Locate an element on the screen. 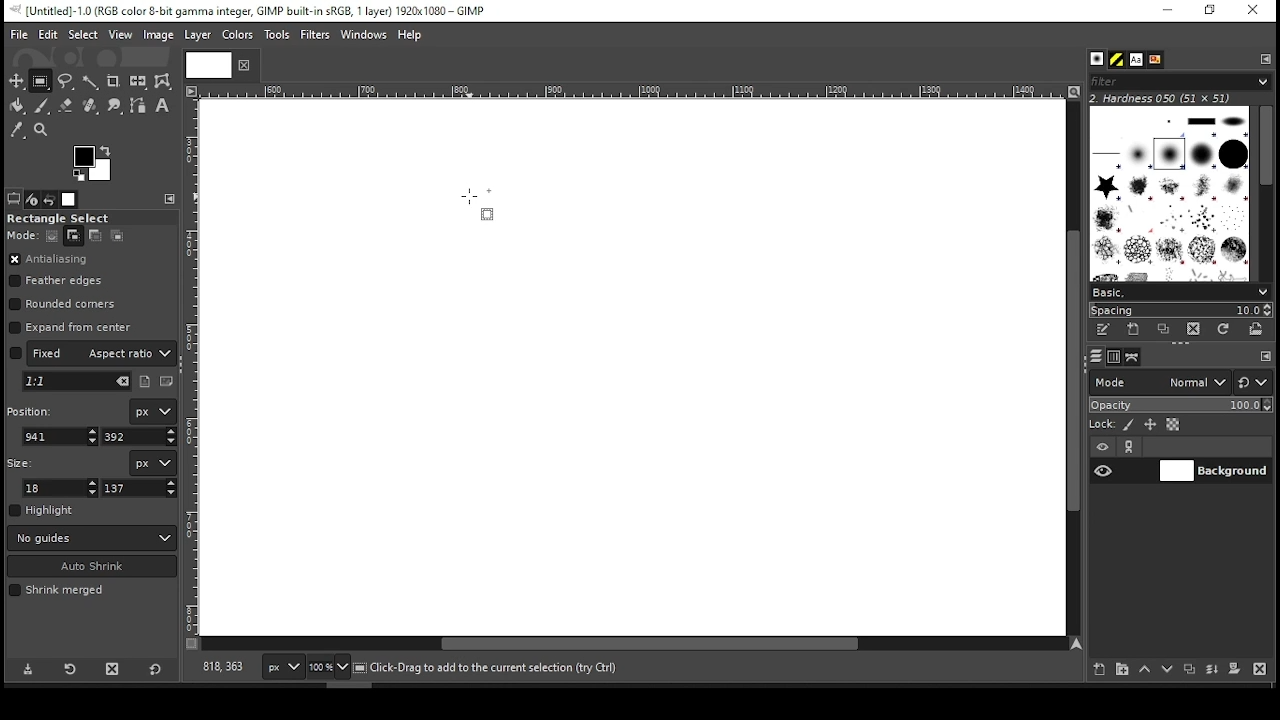 The width and height of the screenshot is (1280, 720). fuzzy selection tool is located at coordinates (91, 82).